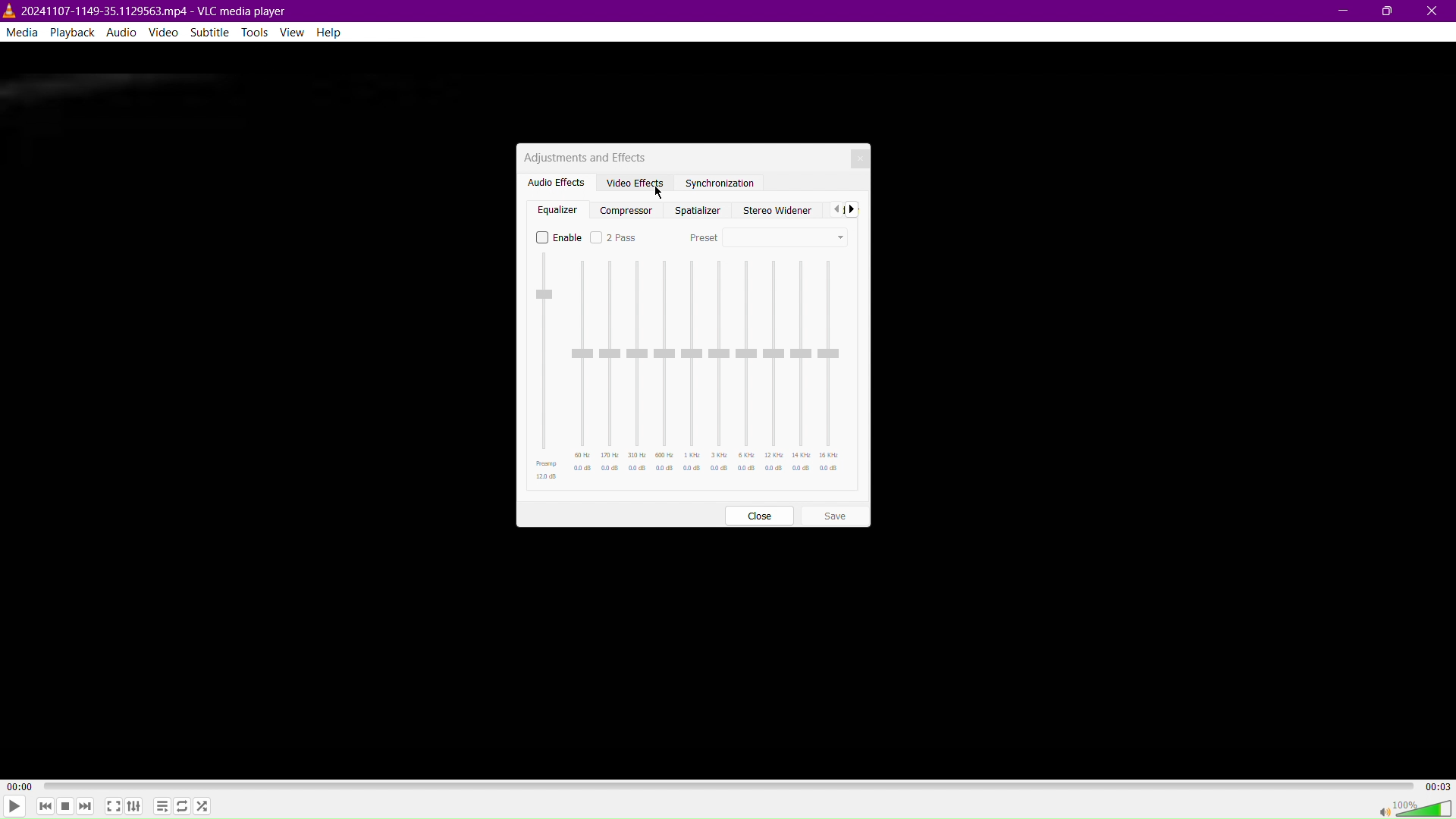  Describe the element at coordinates (135, 807) in the screenshot. I see `Extended Settings` at that location.